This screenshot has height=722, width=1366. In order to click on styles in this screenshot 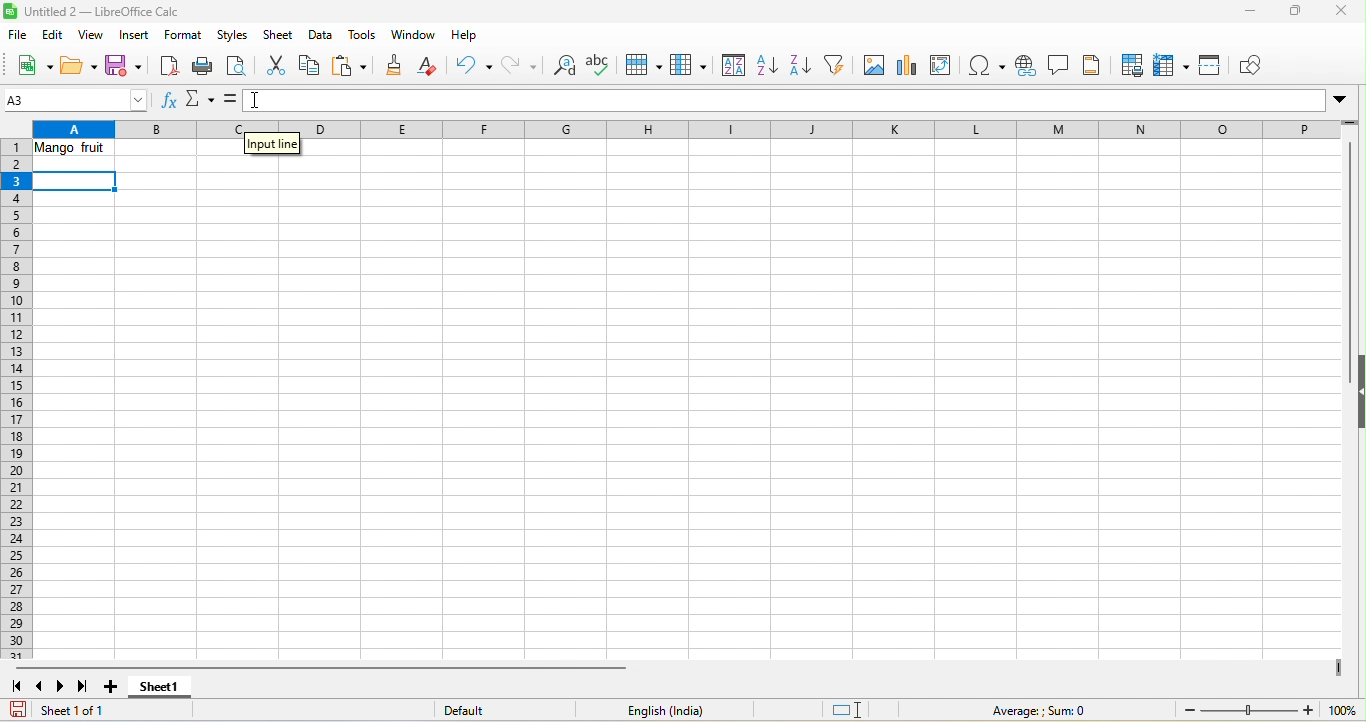, I will do `click(234, 36)`.